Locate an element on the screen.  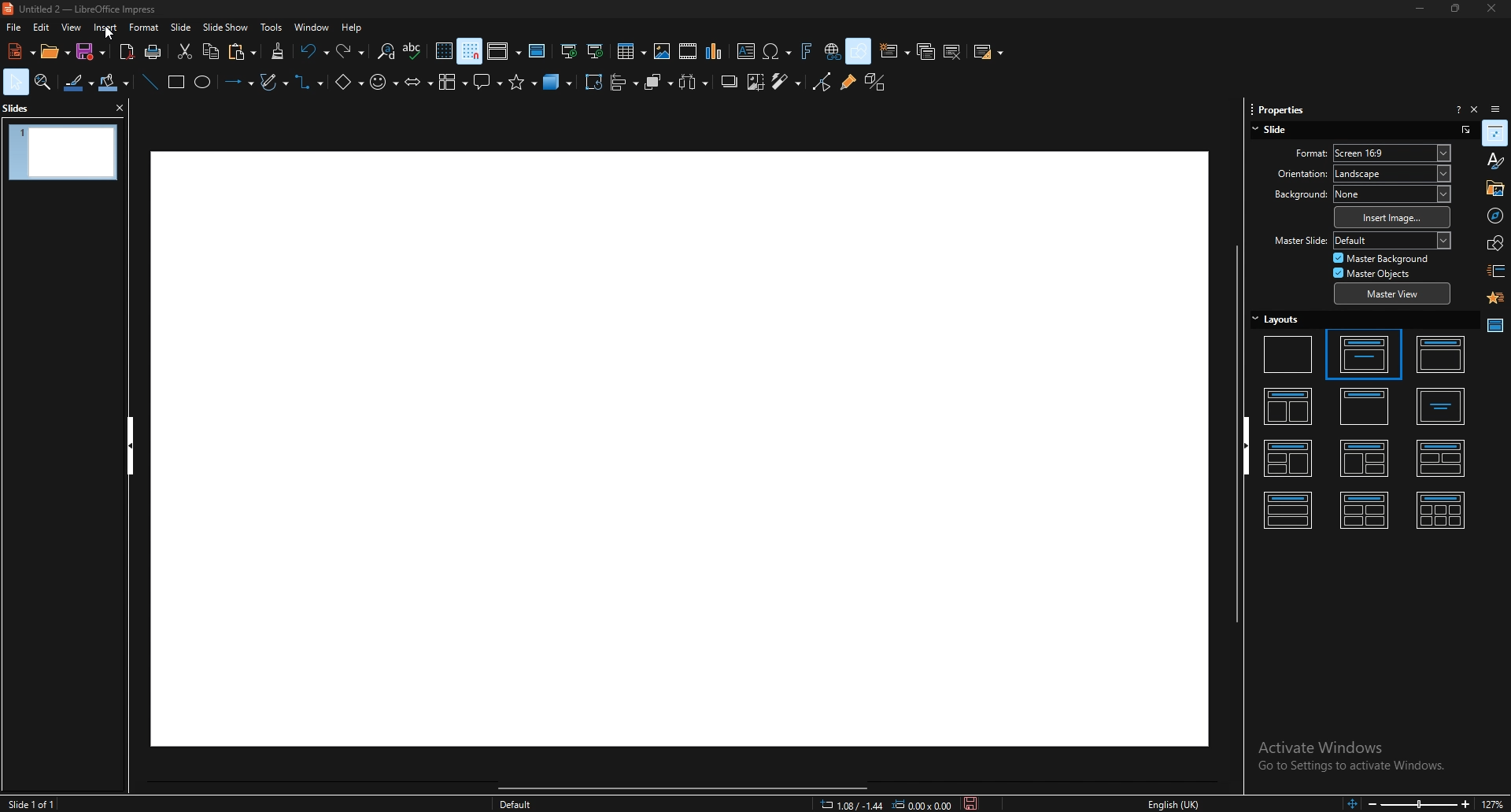
format is located at coordinates (145, 27).